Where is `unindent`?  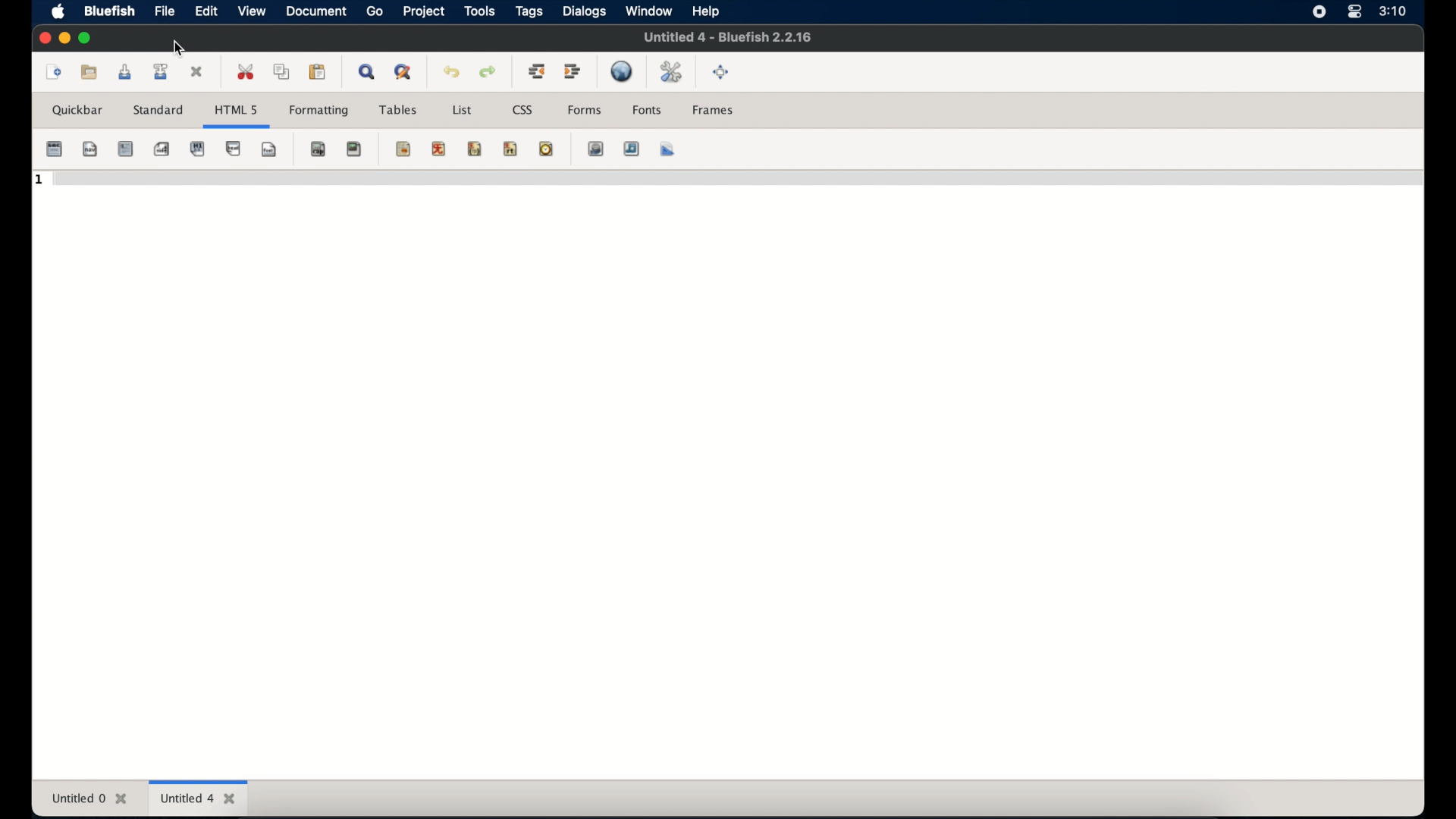
unindent is located at coordinates (536, 71).